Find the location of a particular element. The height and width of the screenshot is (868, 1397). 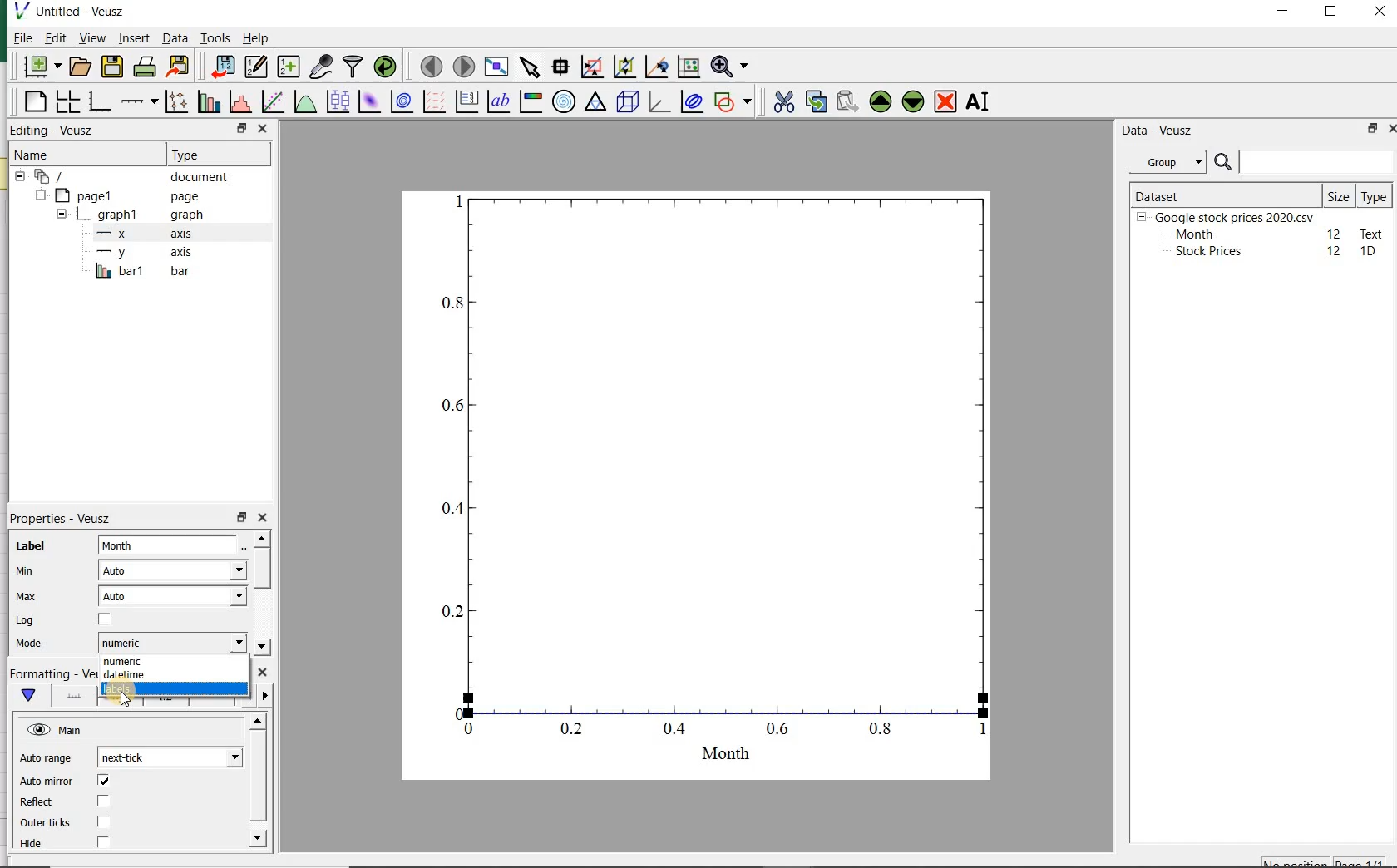

histogram of a dataset is located at coordinates (239, 104).